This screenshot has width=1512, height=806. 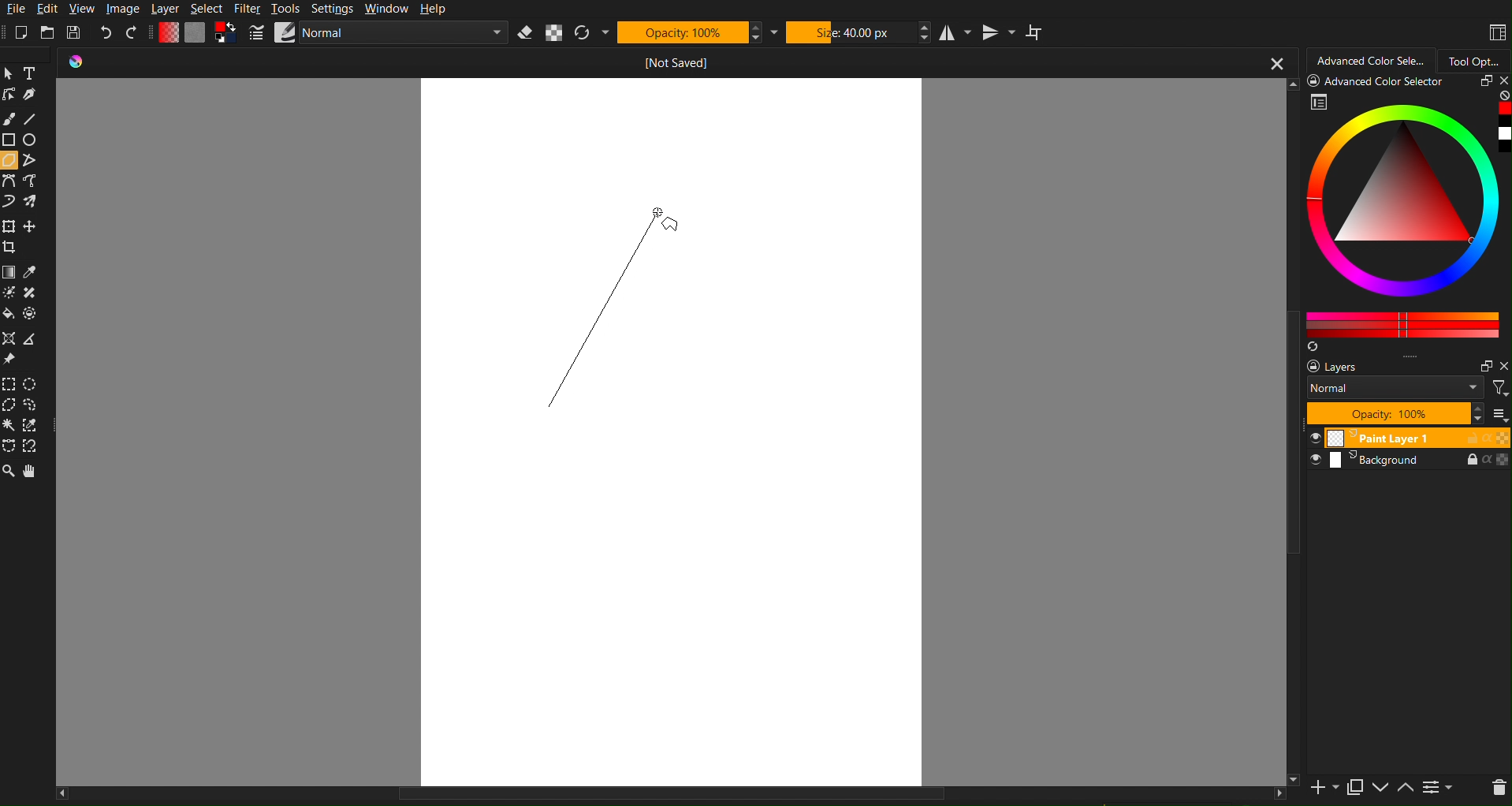 What do you see at coordinates (9, 272) in the screenshot?
I see `draw a gradient` at bounding box center [9, 272].